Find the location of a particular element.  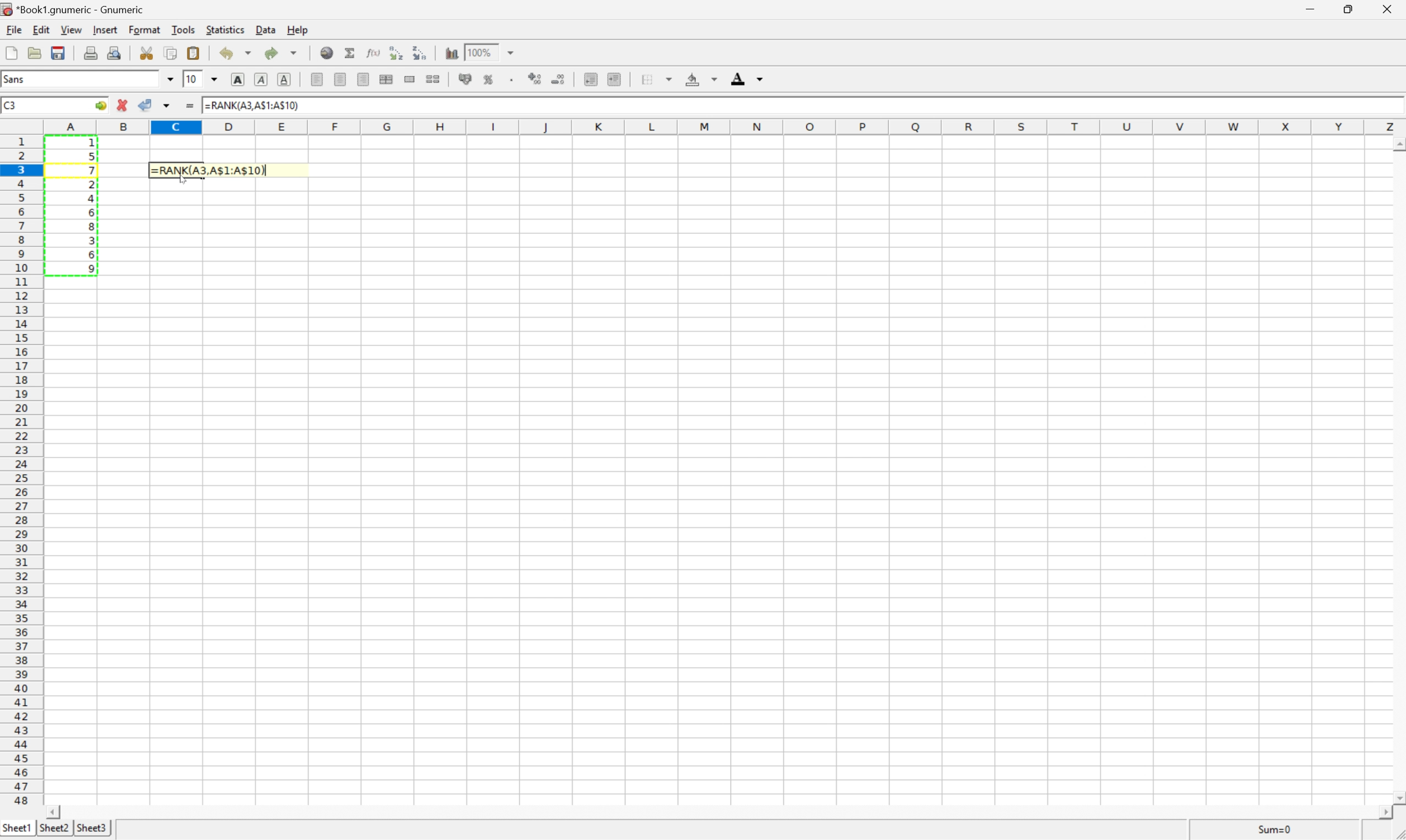

sheet3 is located at coordinates (92, 826).